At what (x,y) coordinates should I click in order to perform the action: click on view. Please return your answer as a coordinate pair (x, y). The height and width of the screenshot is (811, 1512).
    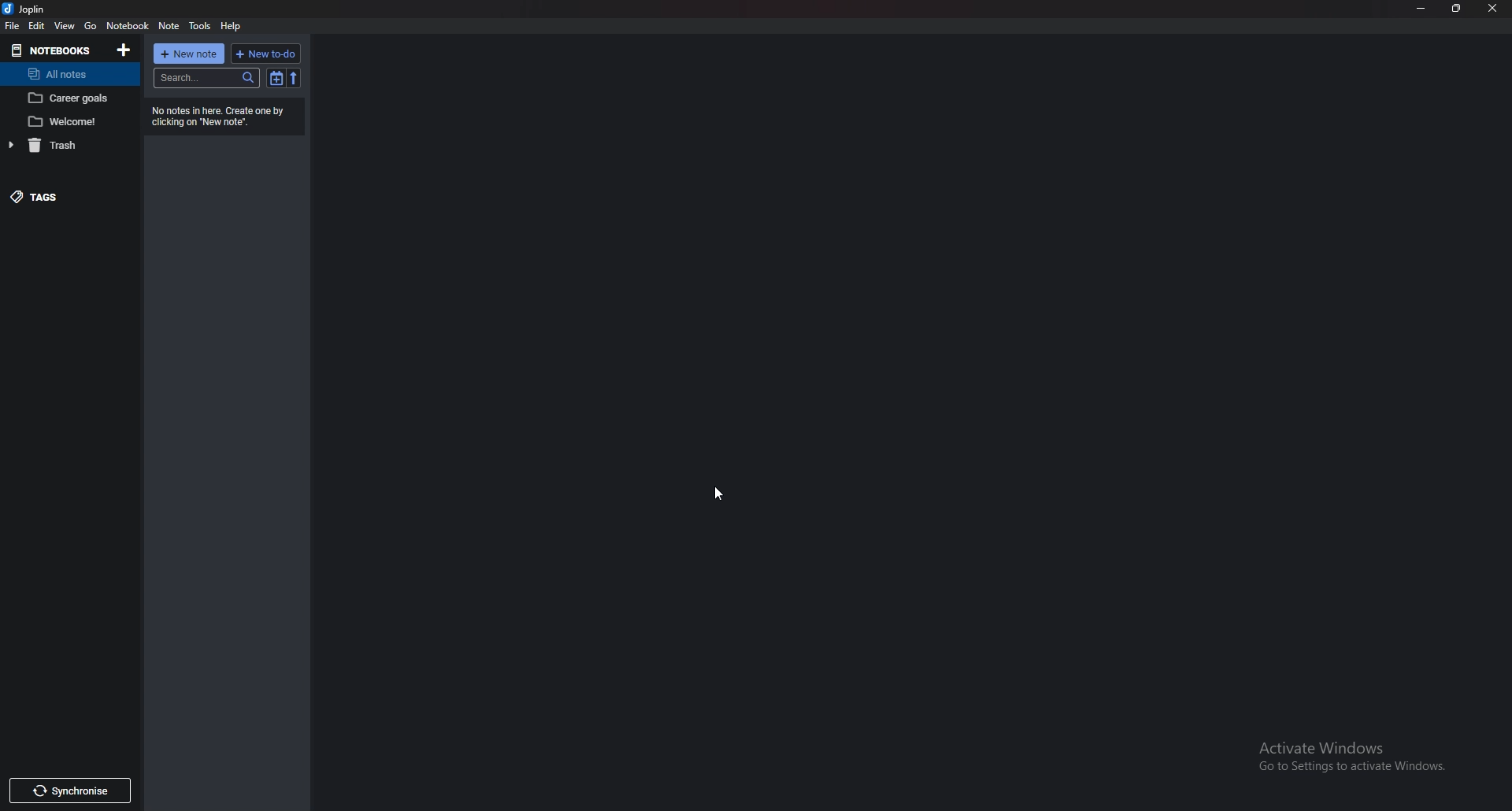
    Looking at the image, I should click on (65, 25).